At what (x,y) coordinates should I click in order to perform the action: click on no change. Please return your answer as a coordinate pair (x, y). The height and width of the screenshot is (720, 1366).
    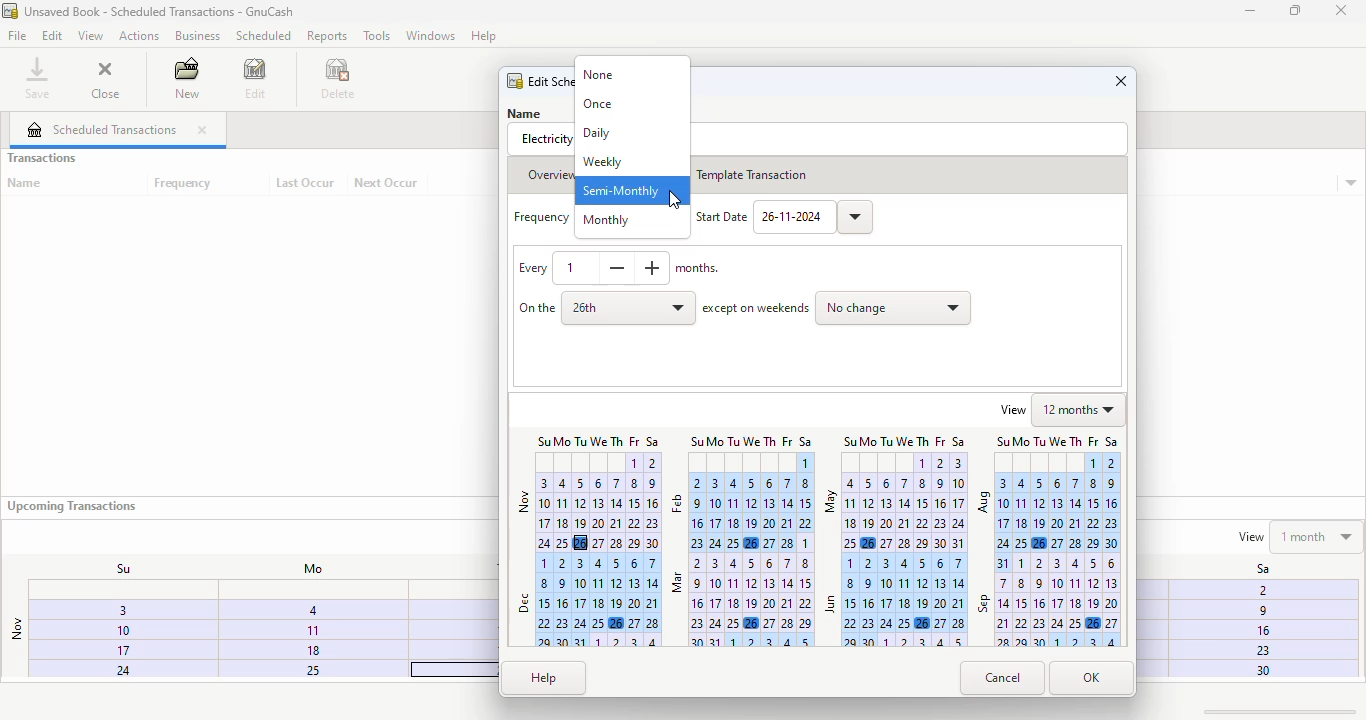
    Looking at the image, I should click on (894, 309).